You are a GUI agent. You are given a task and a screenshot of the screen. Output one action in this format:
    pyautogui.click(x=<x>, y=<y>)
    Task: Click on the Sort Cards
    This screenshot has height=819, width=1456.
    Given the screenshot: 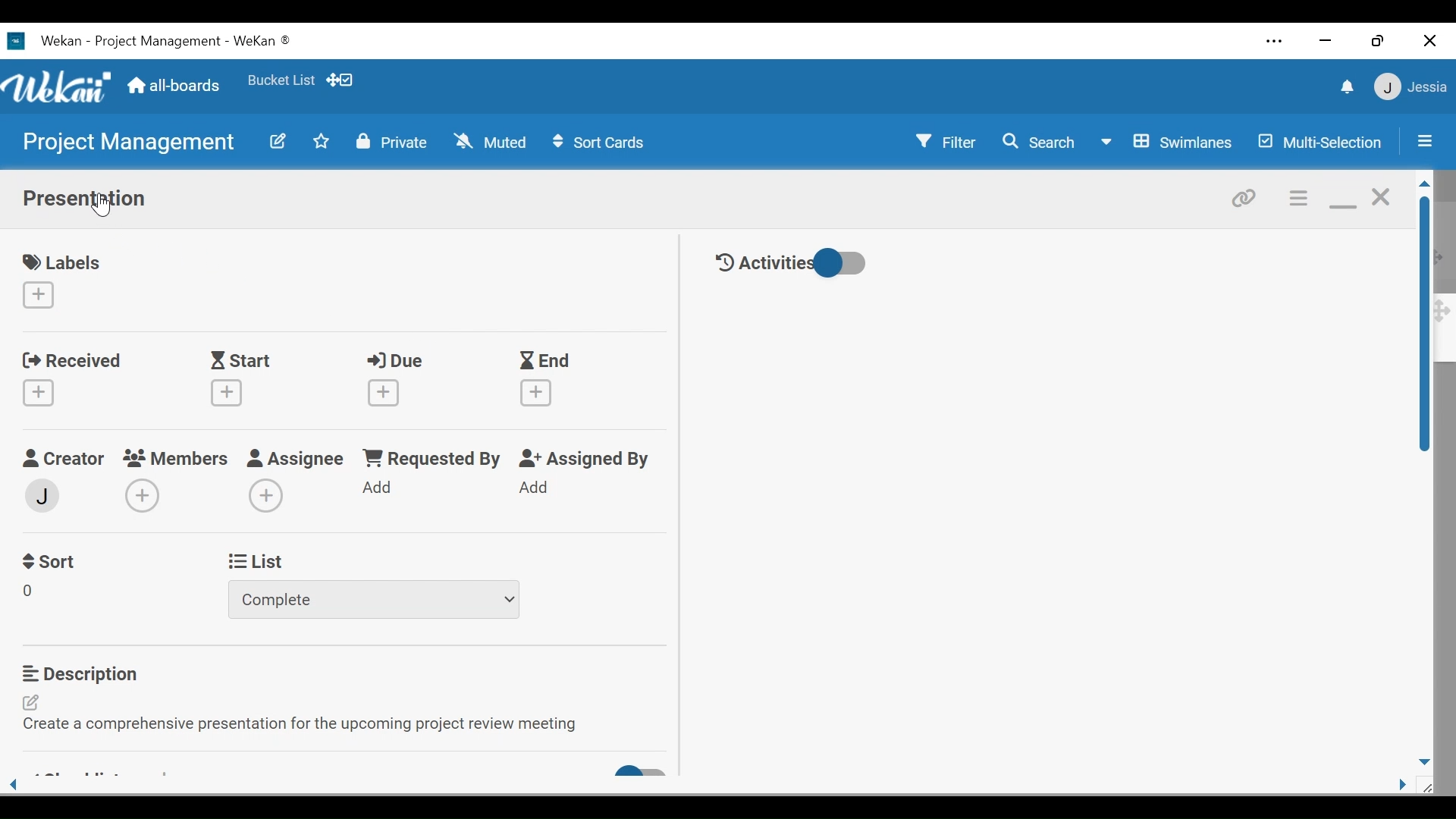 What is the action you would take?
    pyautogui.click(x=603, y=143)
    